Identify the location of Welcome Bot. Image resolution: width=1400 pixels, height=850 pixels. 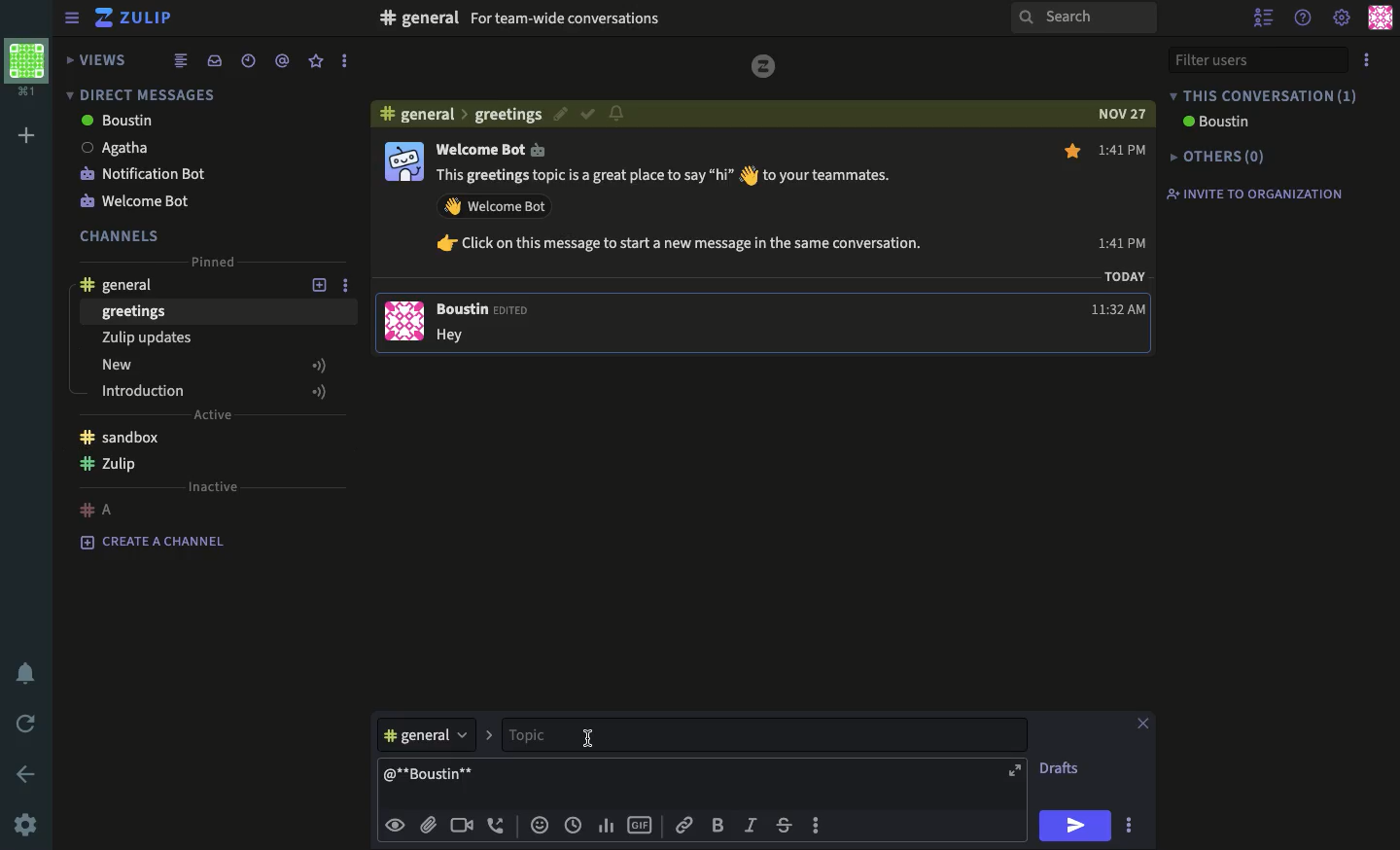
(492, 148).